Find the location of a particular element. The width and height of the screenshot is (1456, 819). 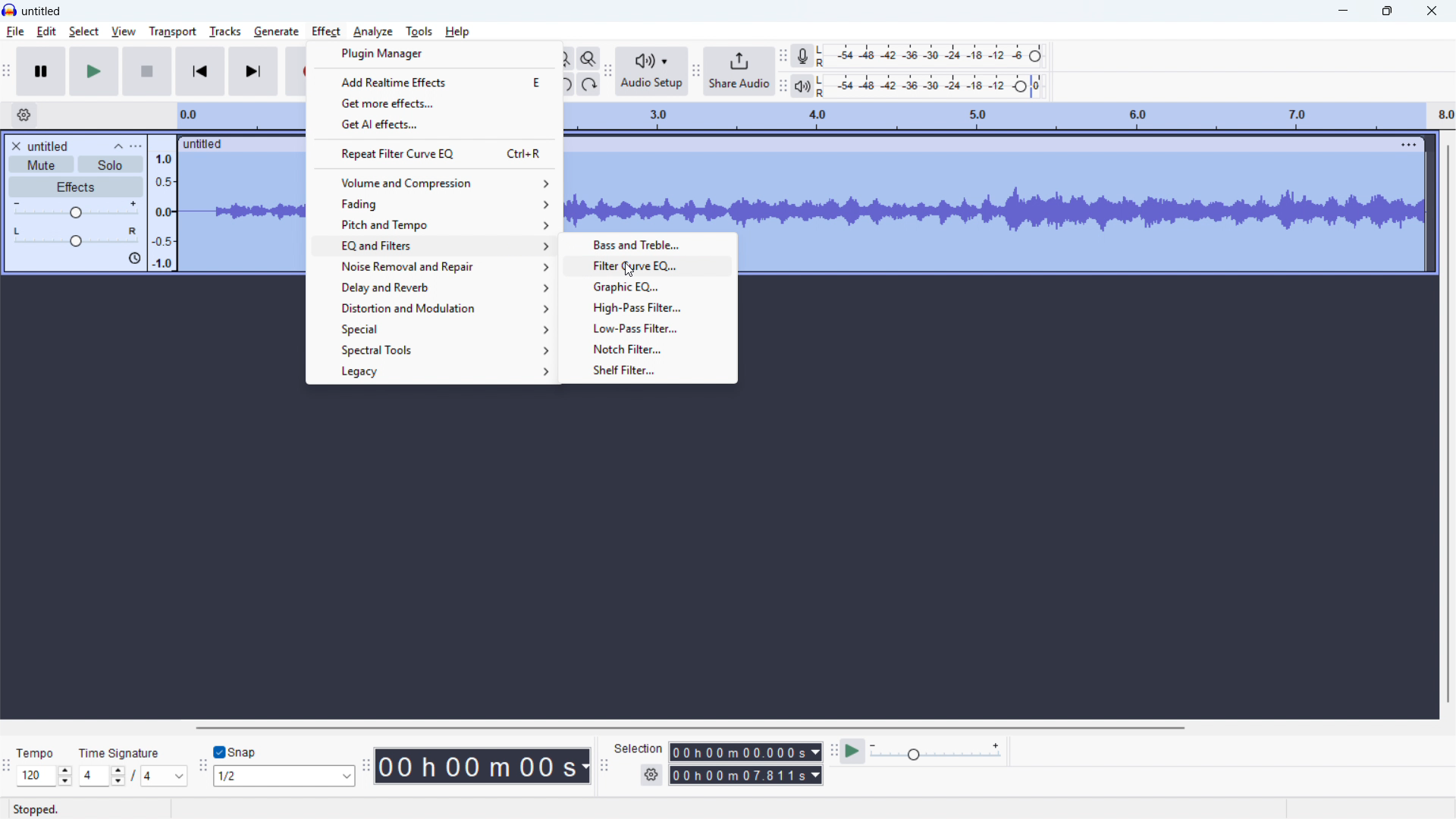

record is located at coordinates (297, 72).